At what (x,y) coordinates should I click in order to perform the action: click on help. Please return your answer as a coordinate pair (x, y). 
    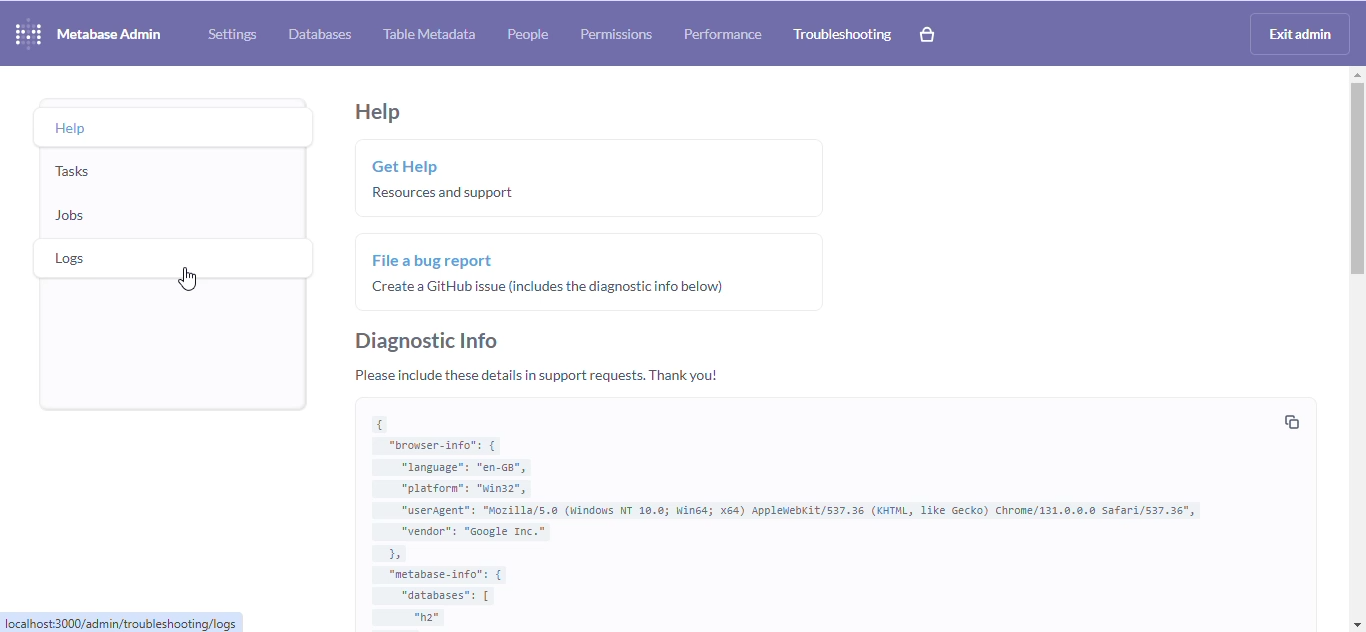
    Looking at the image, I should click on (71, 129).